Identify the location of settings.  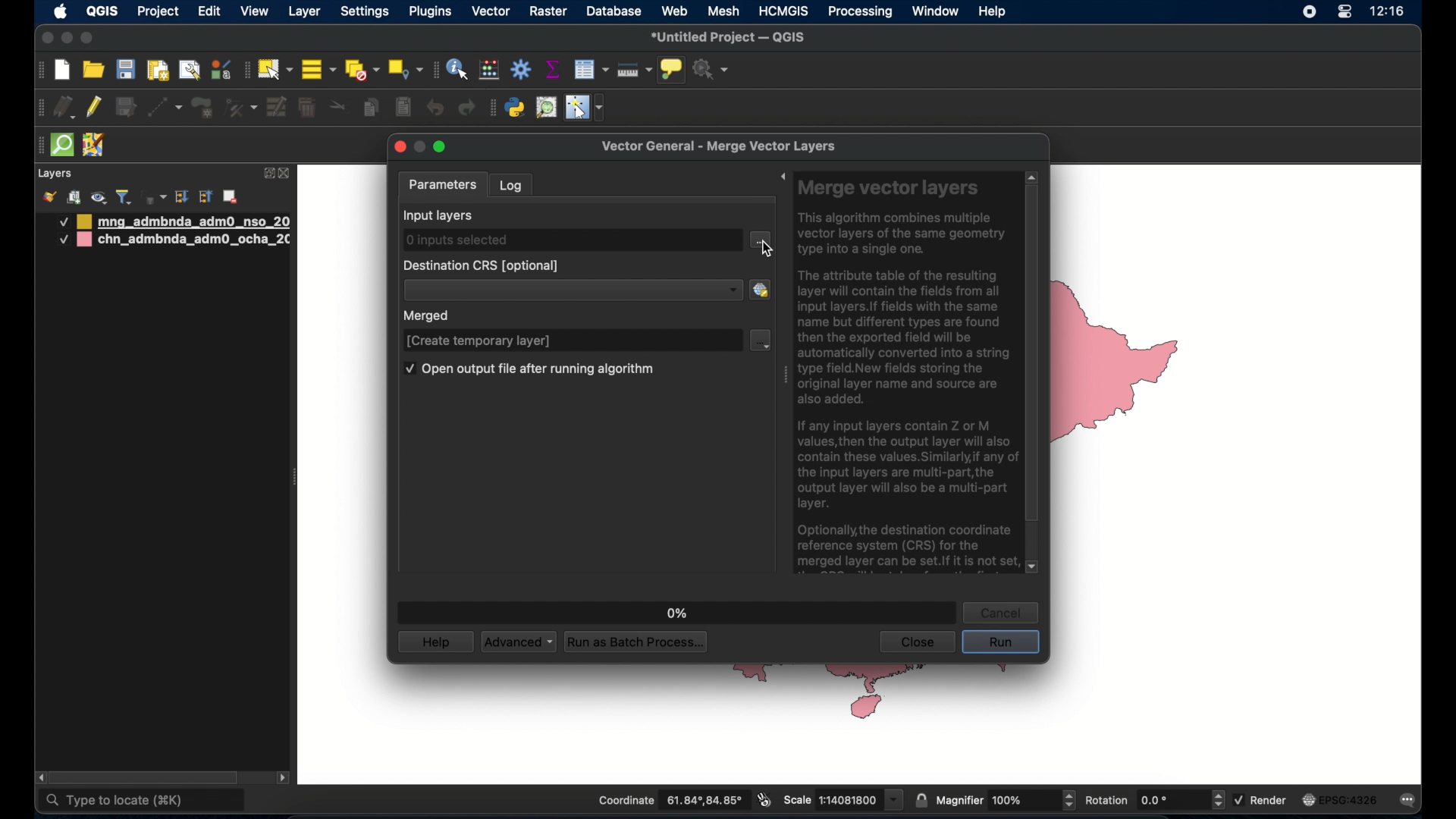
(366, 13).